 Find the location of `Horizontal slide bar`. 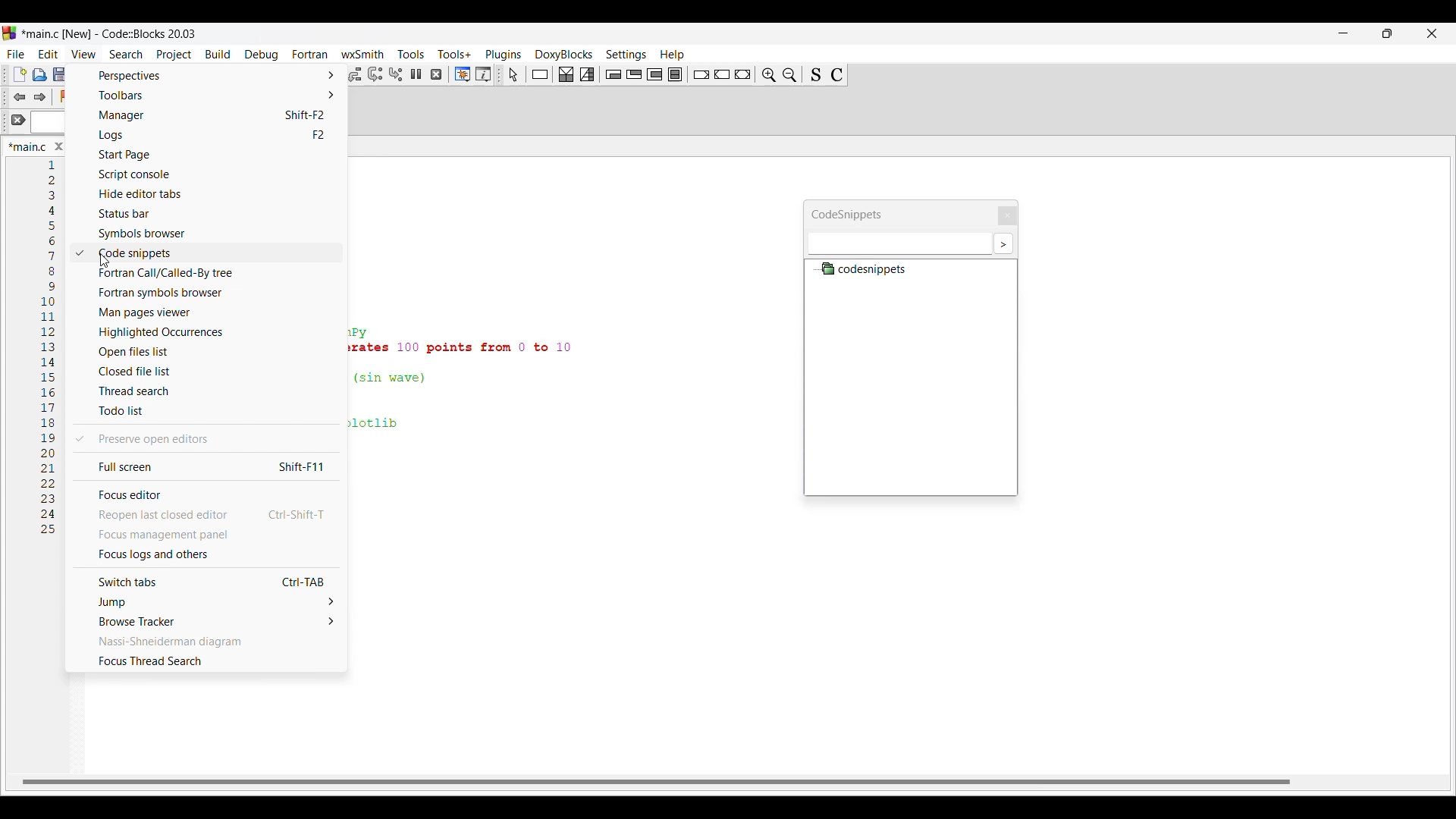

Horizontal slide bar is located at coordinates (655, 781).